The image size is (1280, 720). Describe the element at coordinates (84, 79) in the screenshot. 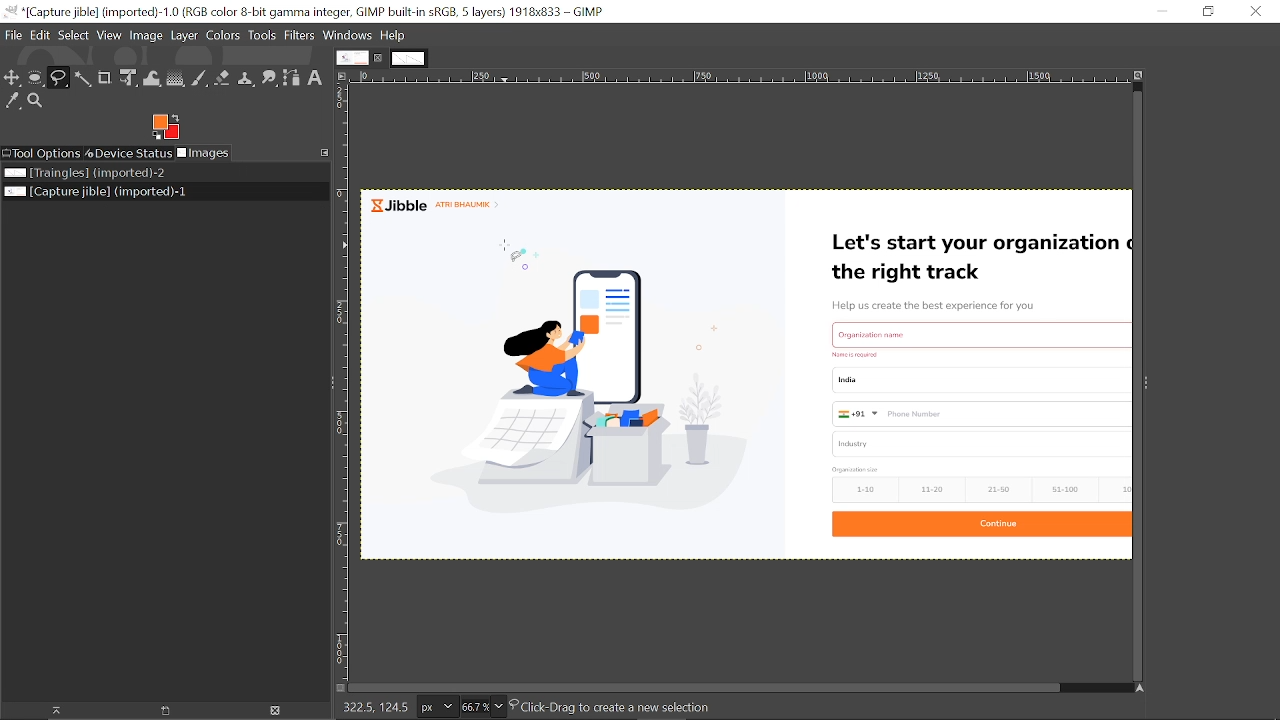

I see `Fuzzy select tool` at that location.